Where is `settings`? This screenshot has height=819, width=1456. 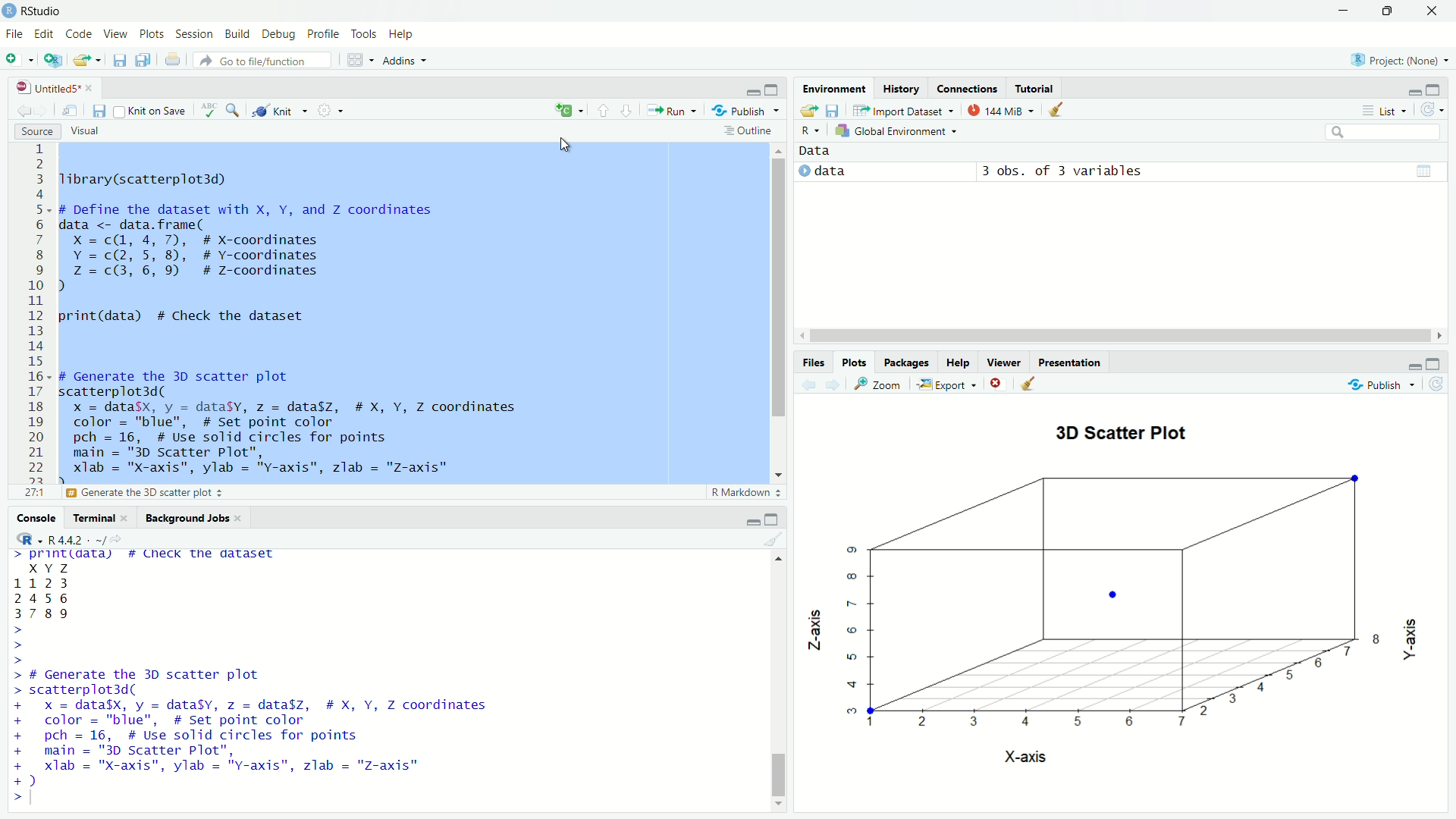
settings is located at coordinates (330, 109).